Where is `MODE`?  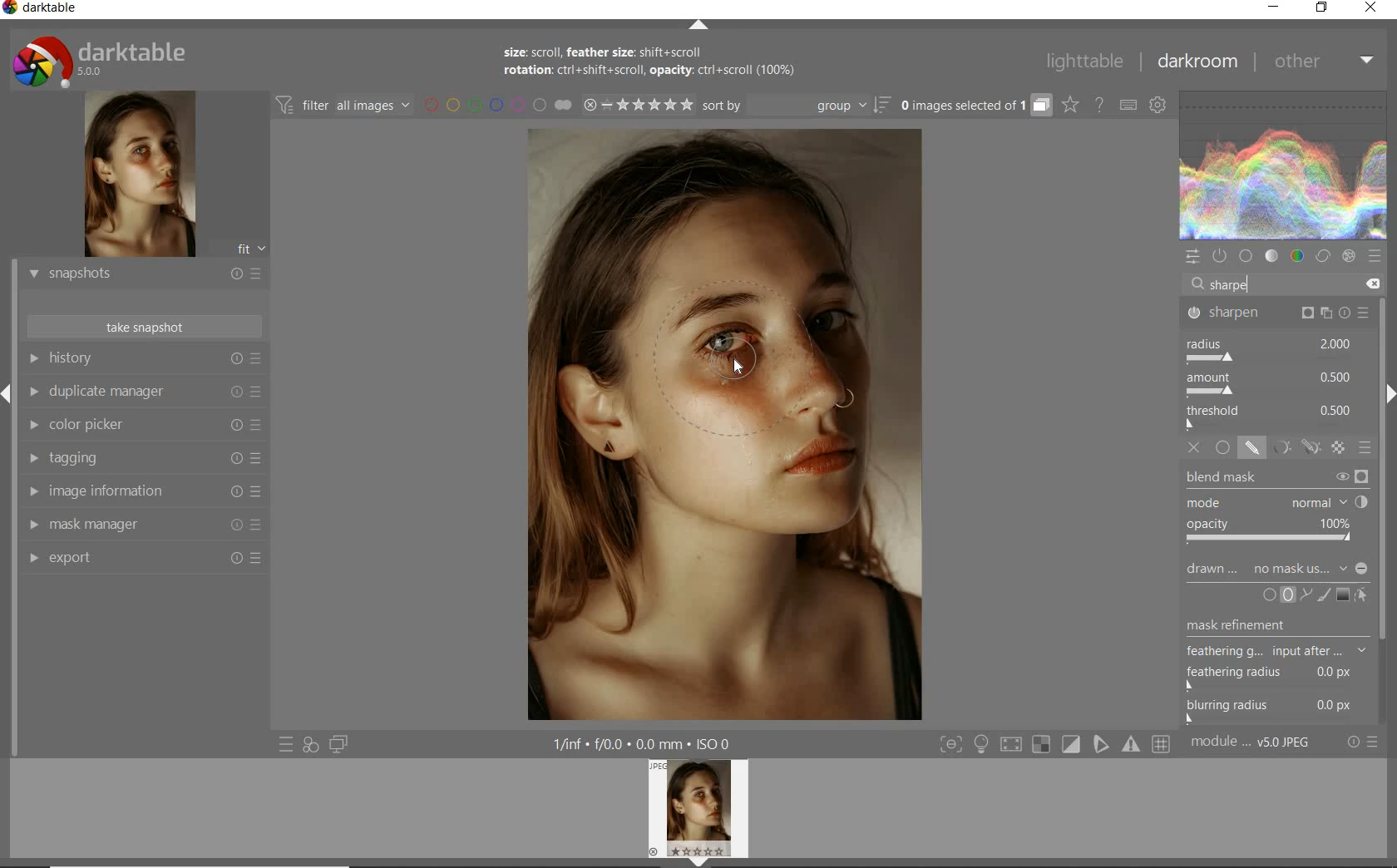 MODE is located at coordinates (1276, 504).